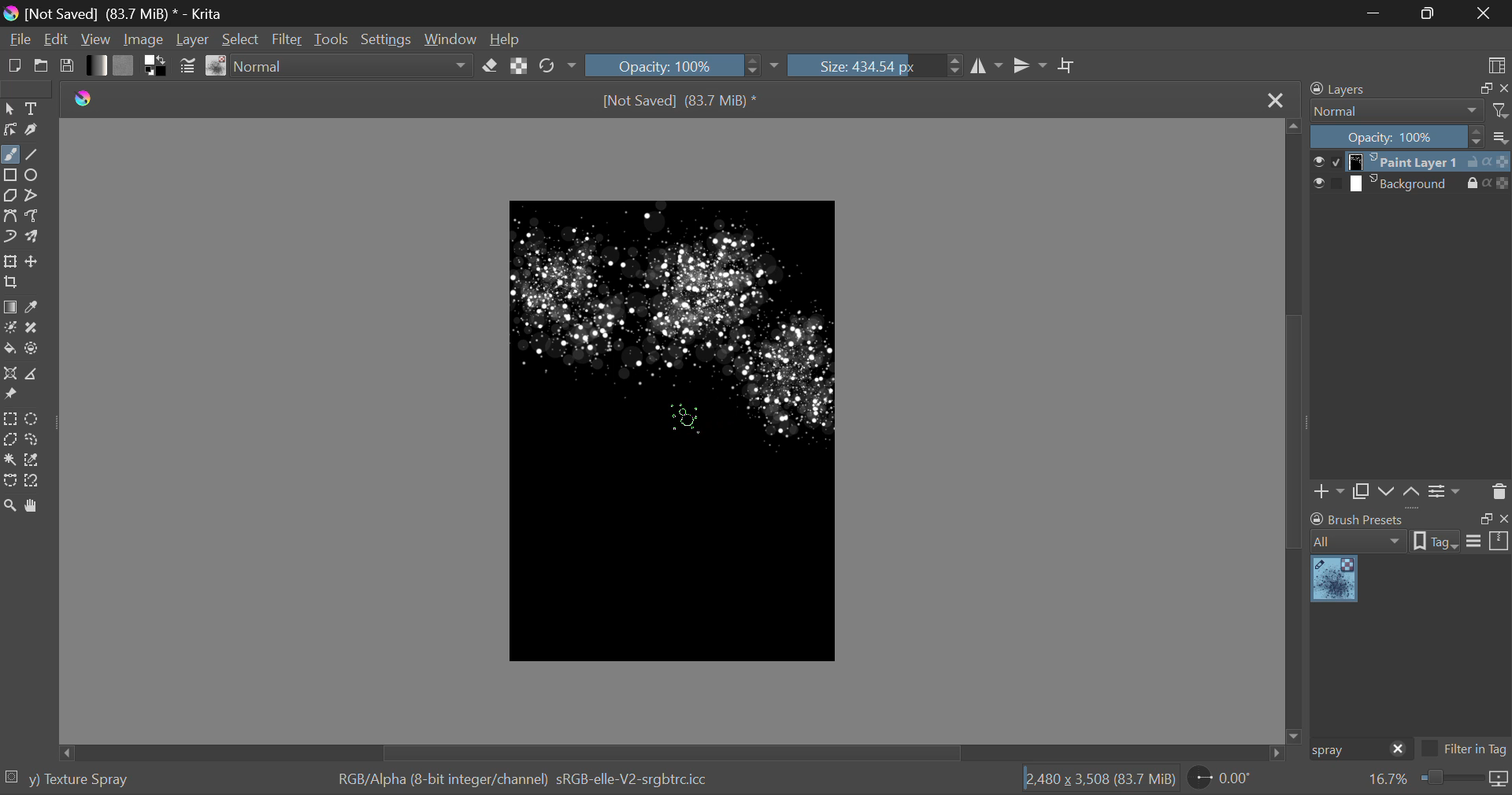  I want to click on Open, so click(42, 65).